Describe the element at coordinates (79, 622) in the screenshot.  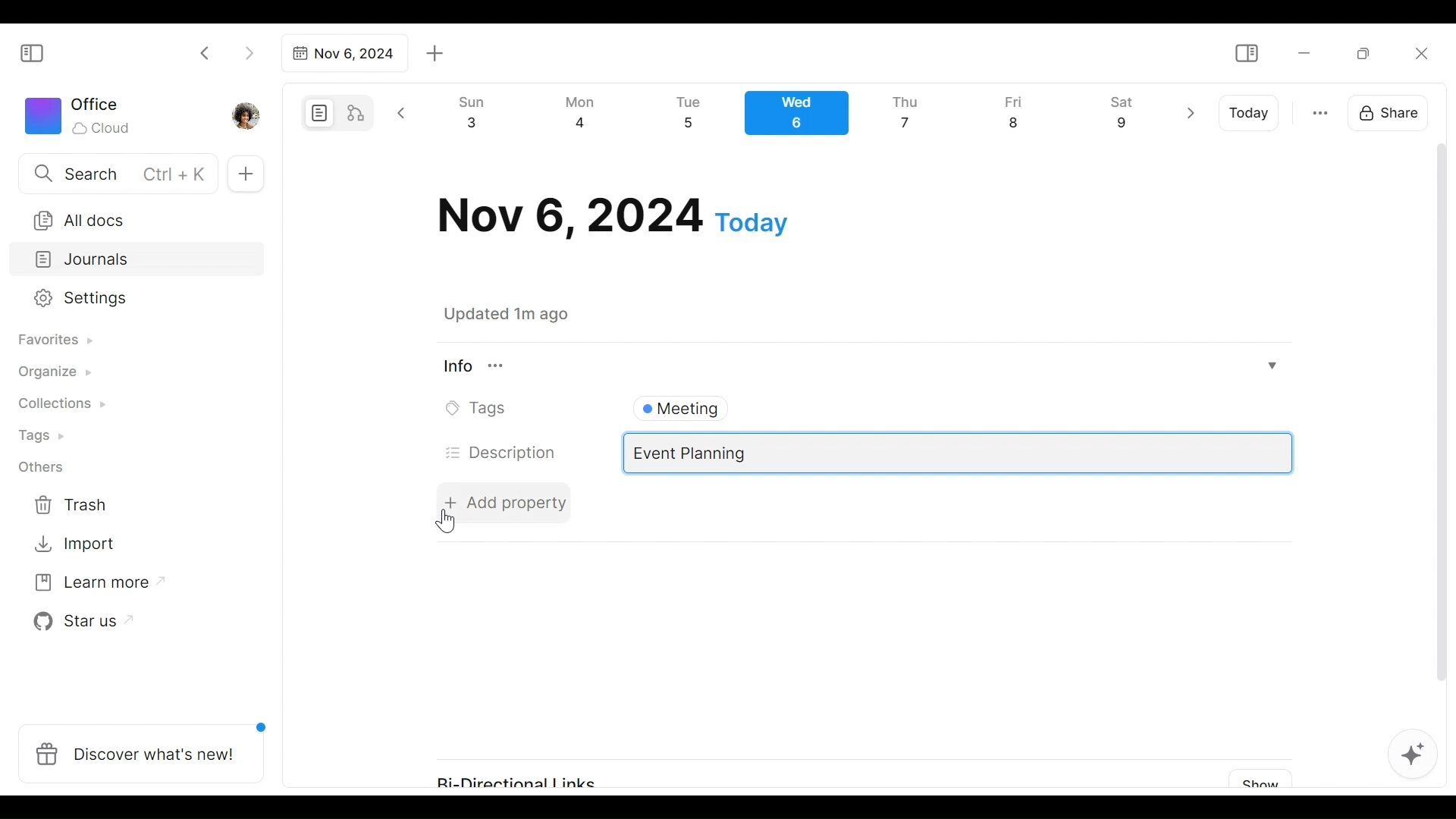
I see `Star us` at that location.